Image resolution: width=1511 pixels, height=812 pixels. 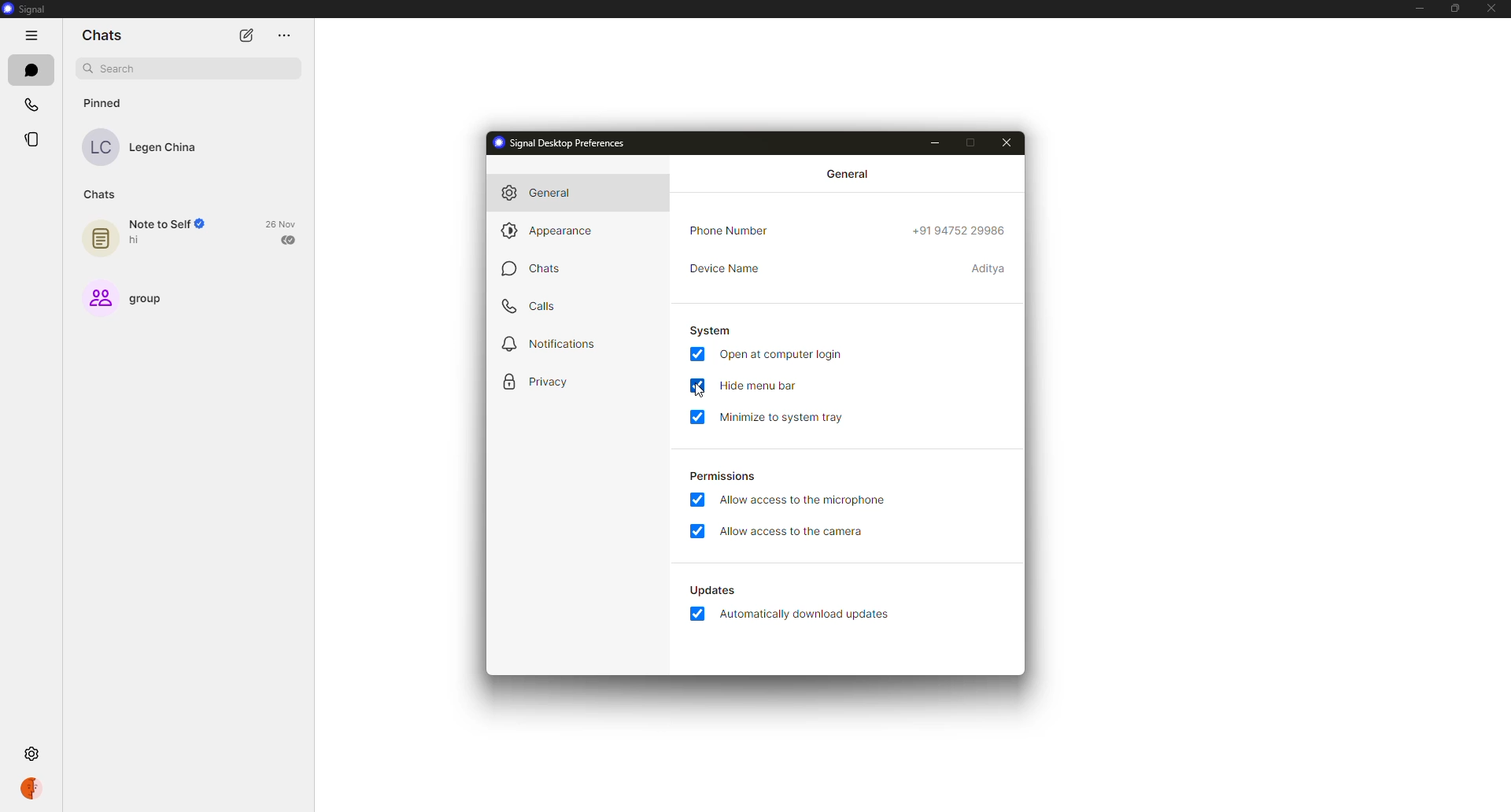 I want to click on minimize, so click(x=1415, y=8).